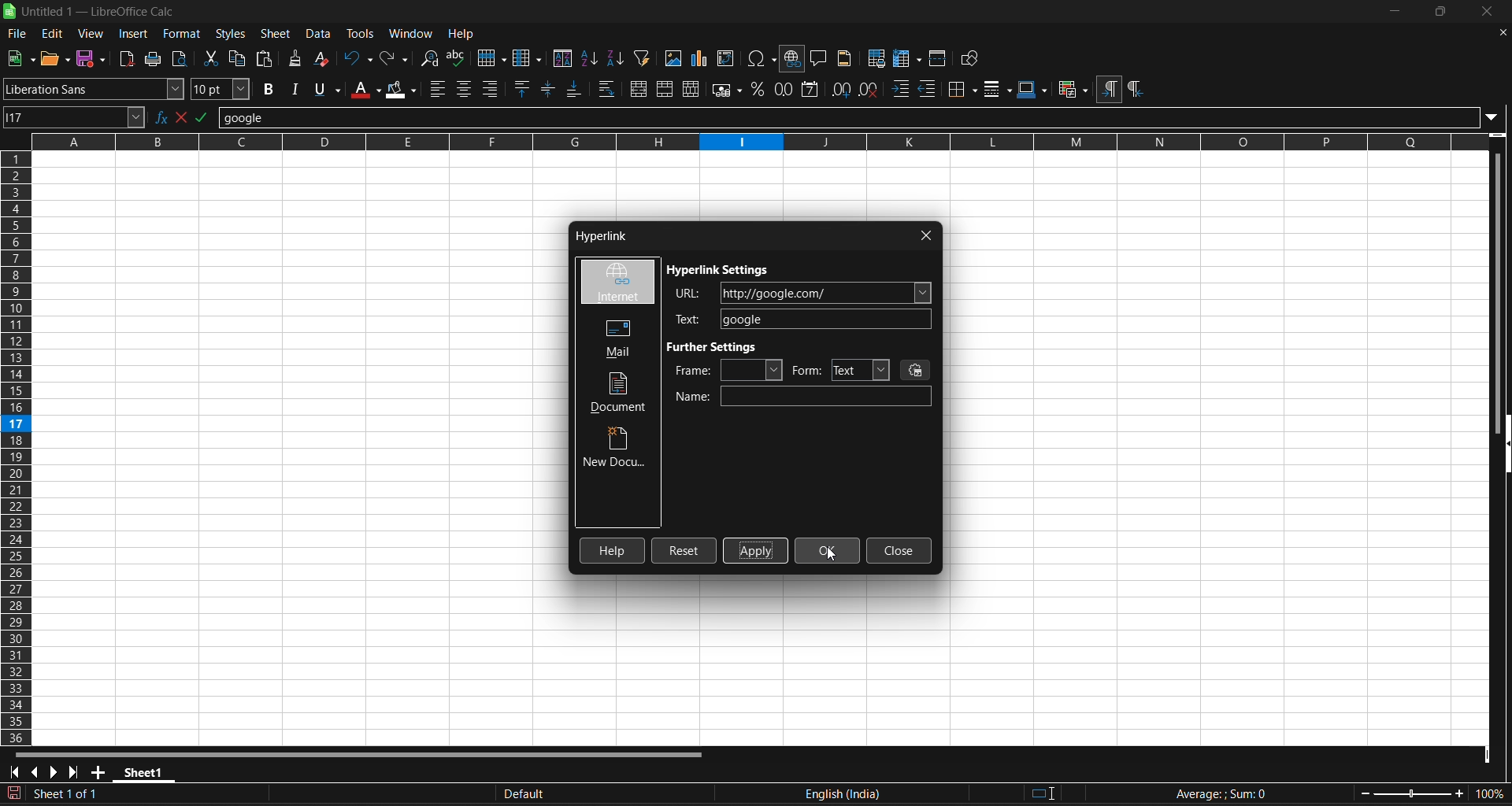 This screenshot has height=806, width=1512. Describe the element at coordinates (73, 773) in the screenshot. I see `scroll to last sheet ` at that location.